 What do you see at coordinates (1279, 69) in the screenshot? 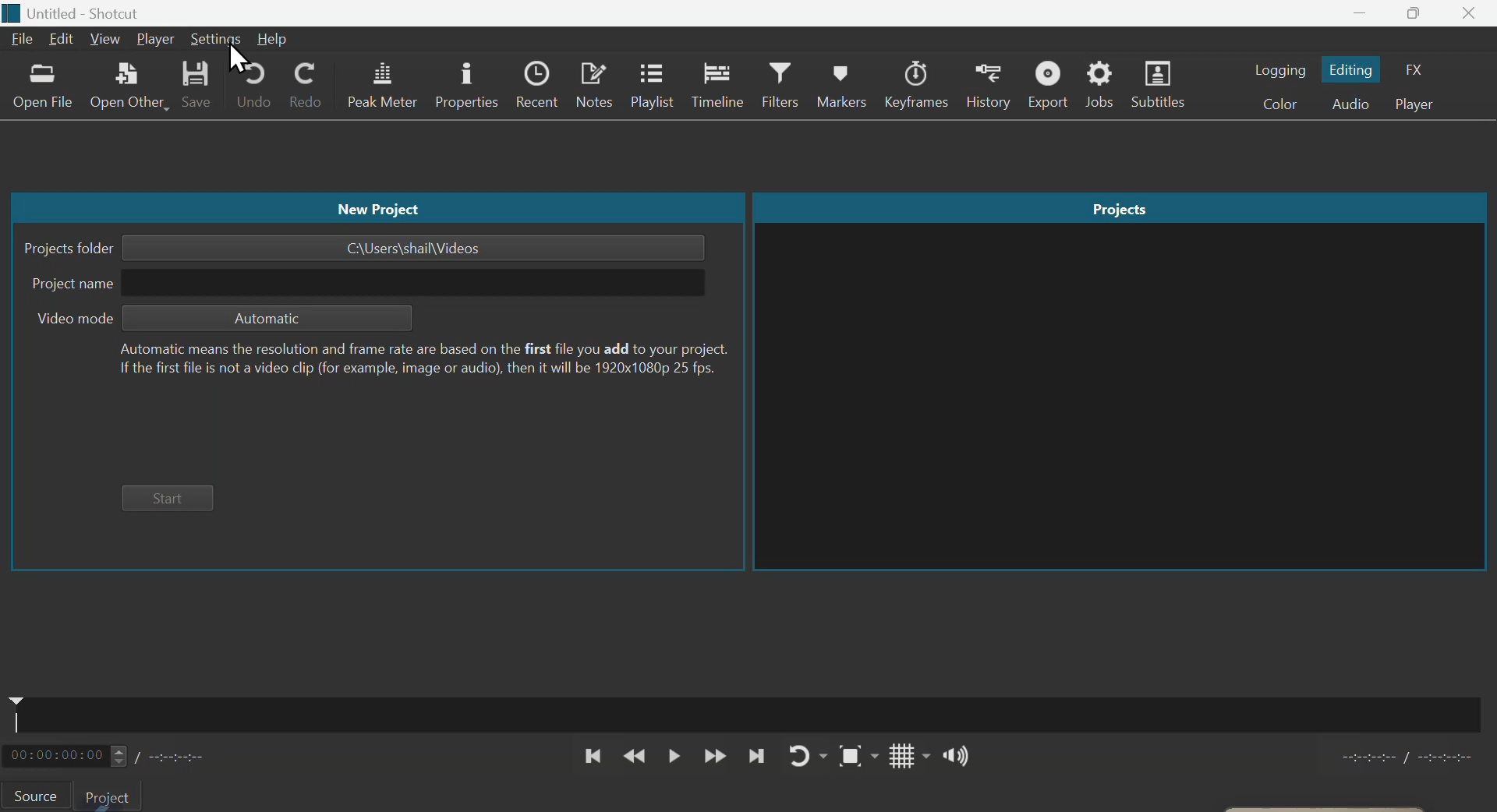
I see `Logging` at bounding box center [1279, 69].